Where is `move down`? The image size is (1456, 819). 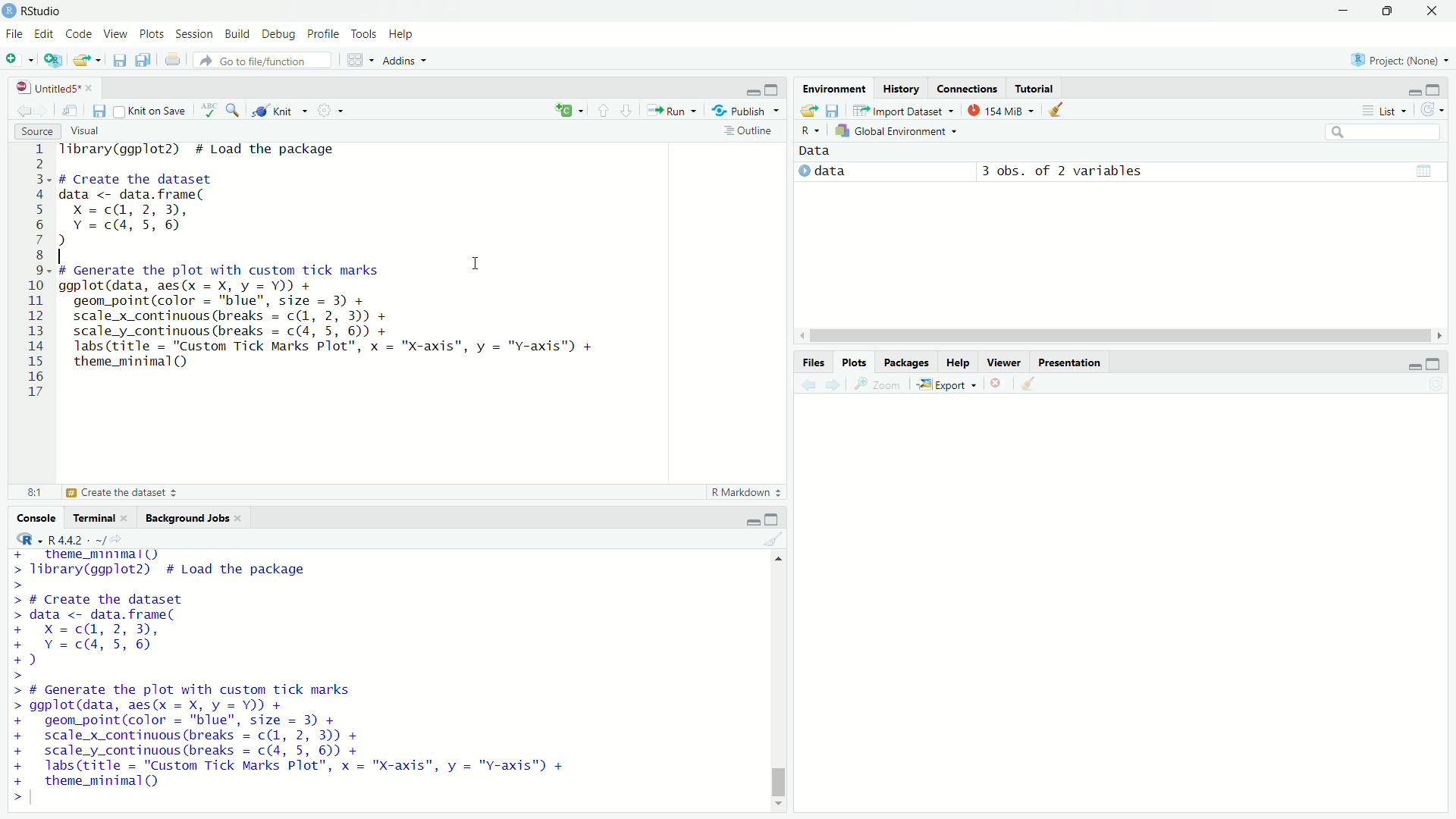 move down is located at coordinates (780, 805).